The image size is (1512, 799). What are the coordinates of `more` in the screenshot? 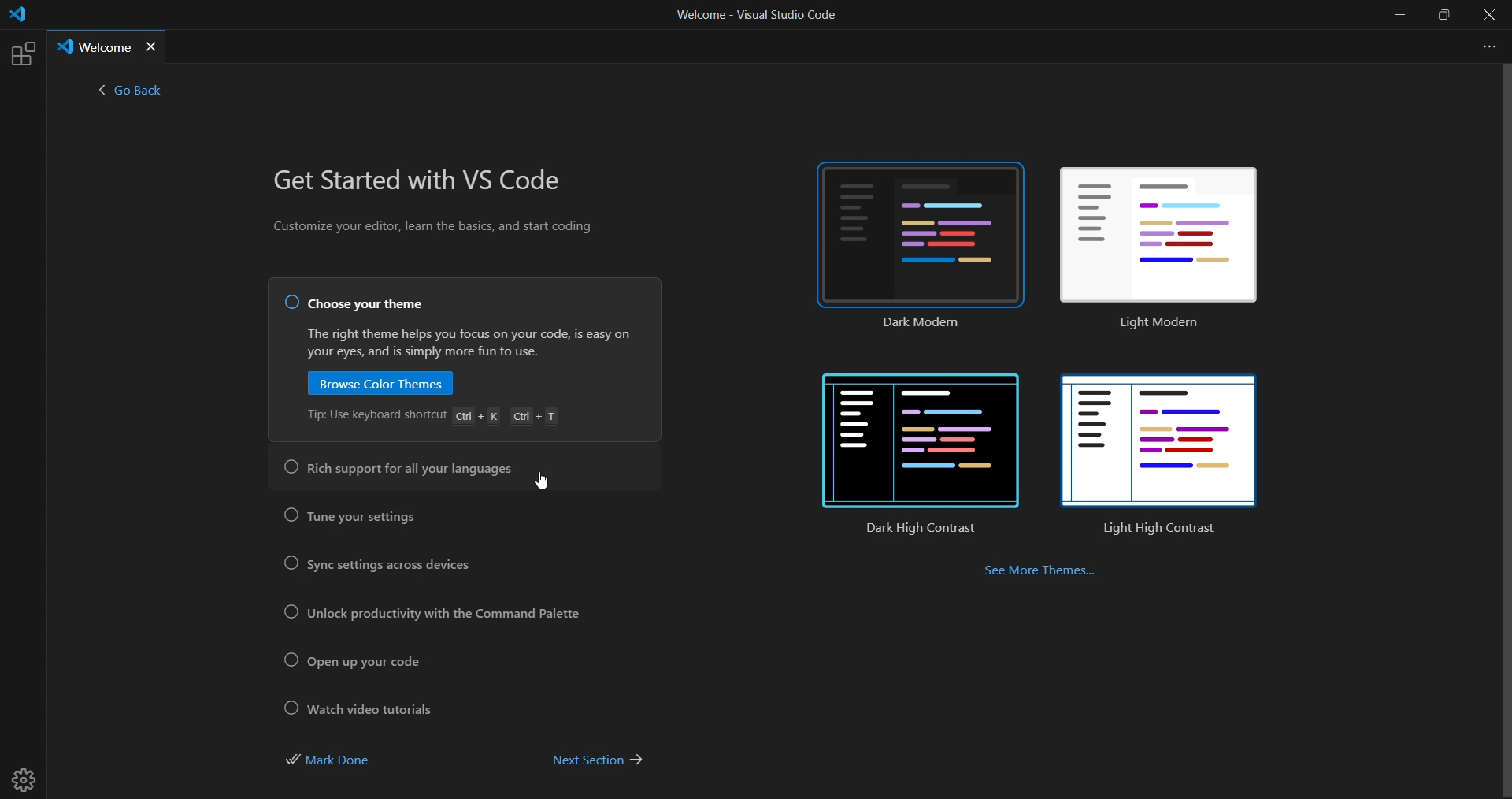 It's located at (1485, 45).